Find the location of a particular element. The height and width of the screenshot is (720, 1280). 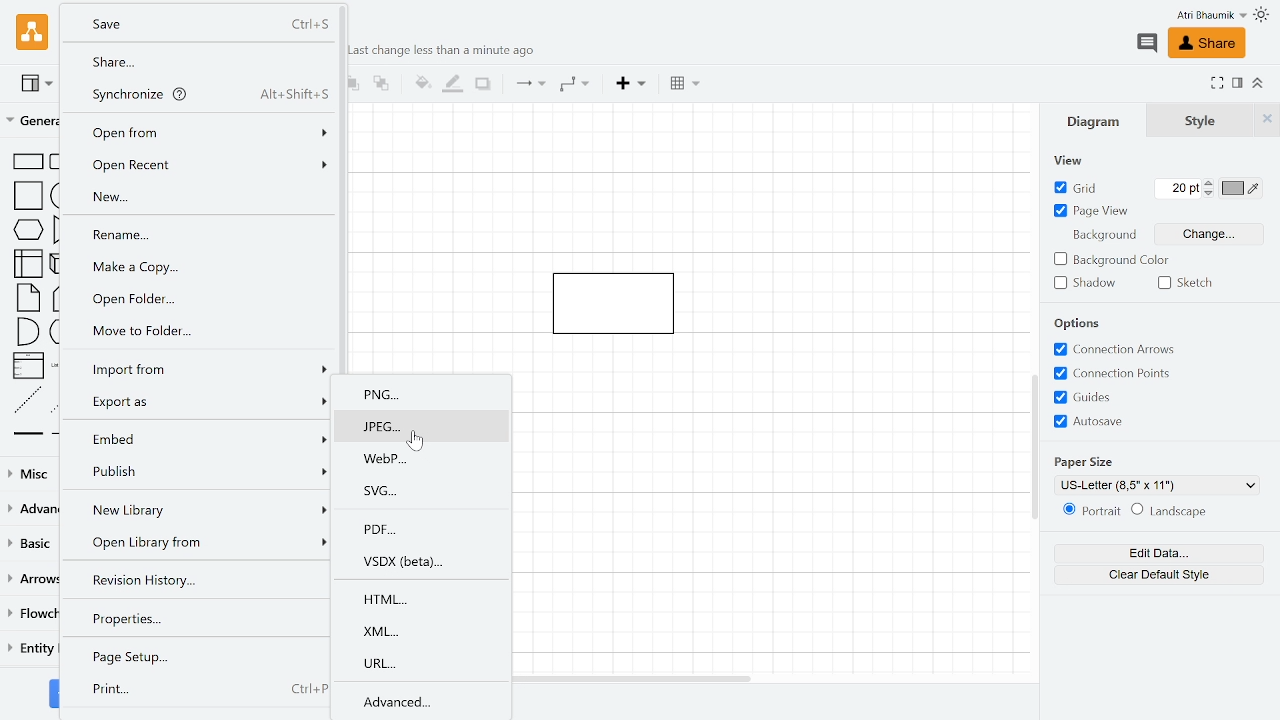

New library is located at coordinates (199, 510).